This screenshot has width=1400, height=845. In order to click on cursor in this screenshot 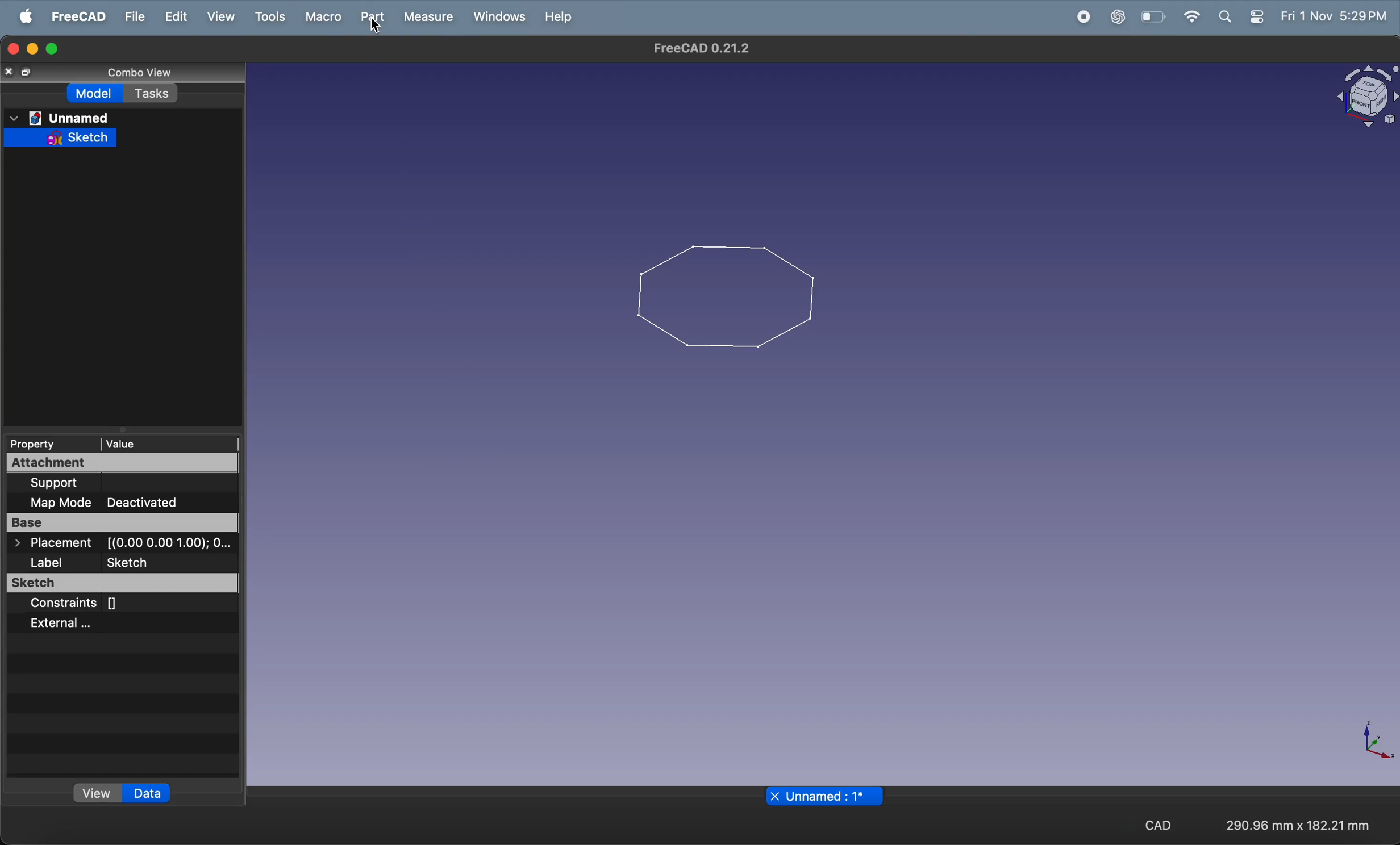, I will do `click(376, 23)`.